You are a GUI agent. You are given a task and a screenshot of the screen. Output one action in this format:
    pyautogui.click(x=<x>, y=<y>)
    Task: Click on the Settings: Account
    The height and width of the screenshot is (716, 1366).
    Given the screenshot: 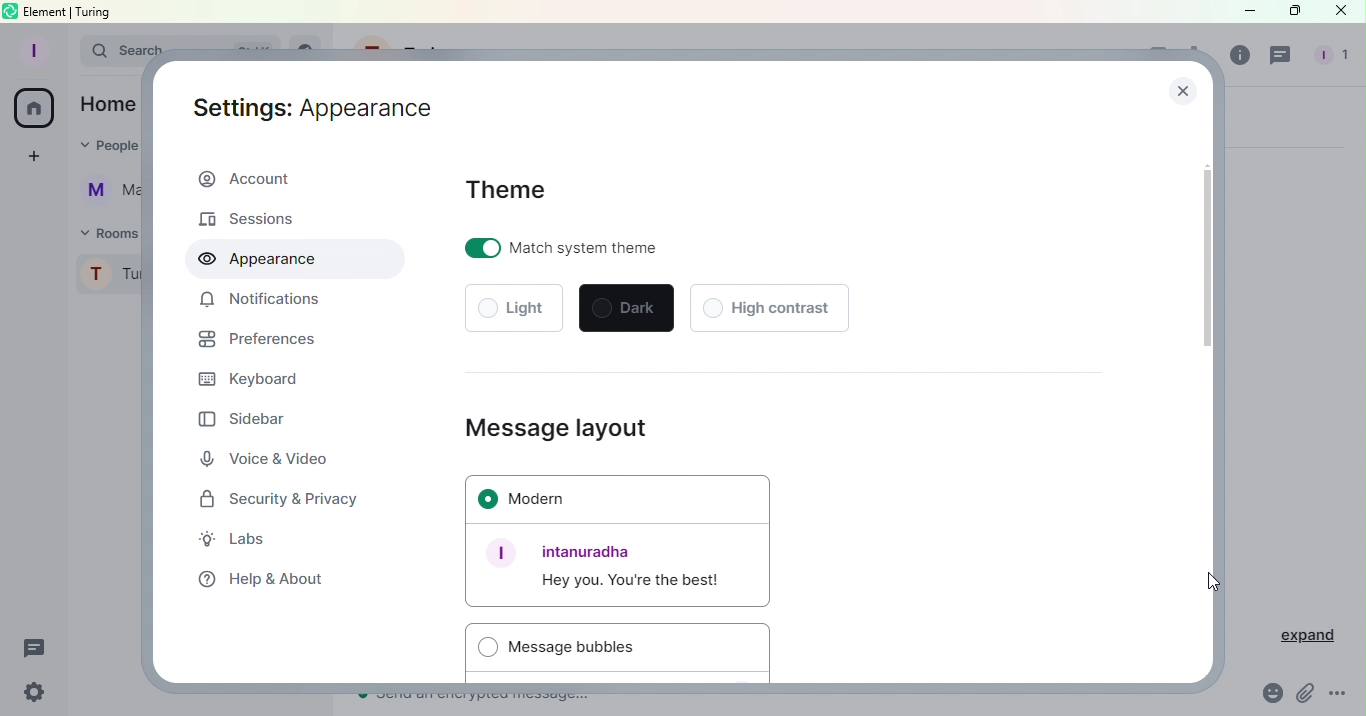 What is the action you would take?
    pyautogui.click(x=317, y=103)
    